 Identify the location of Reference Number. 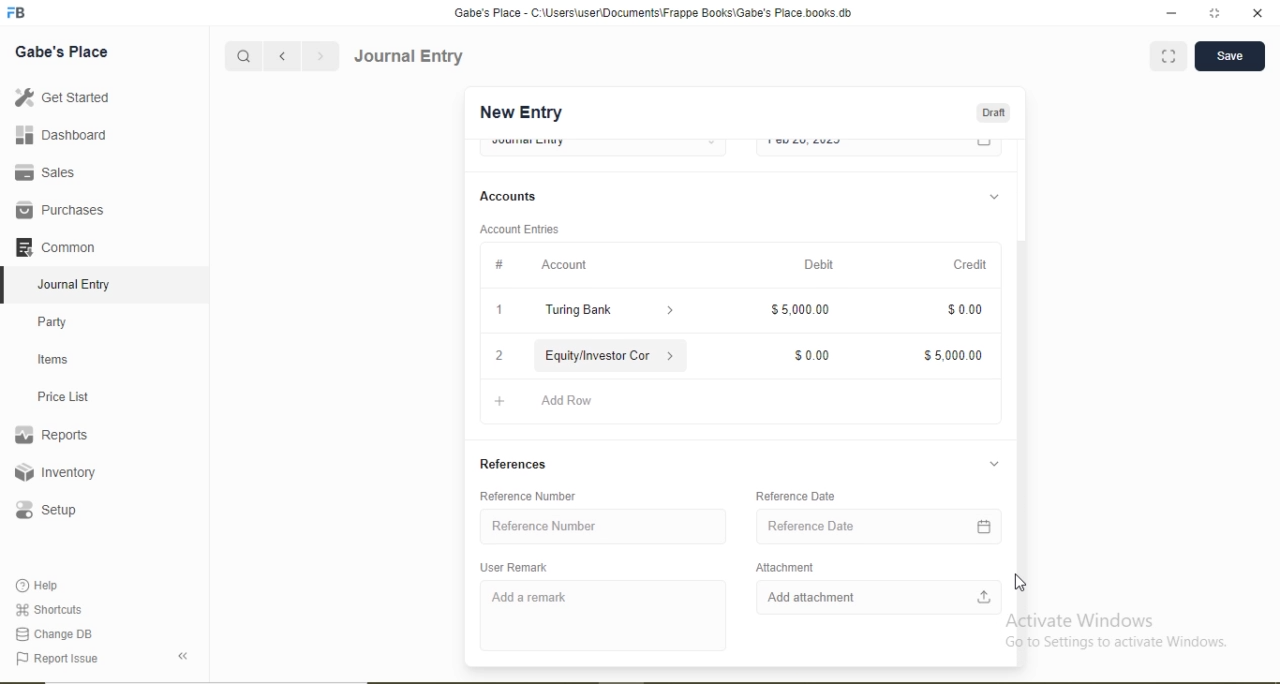
(527, 496).